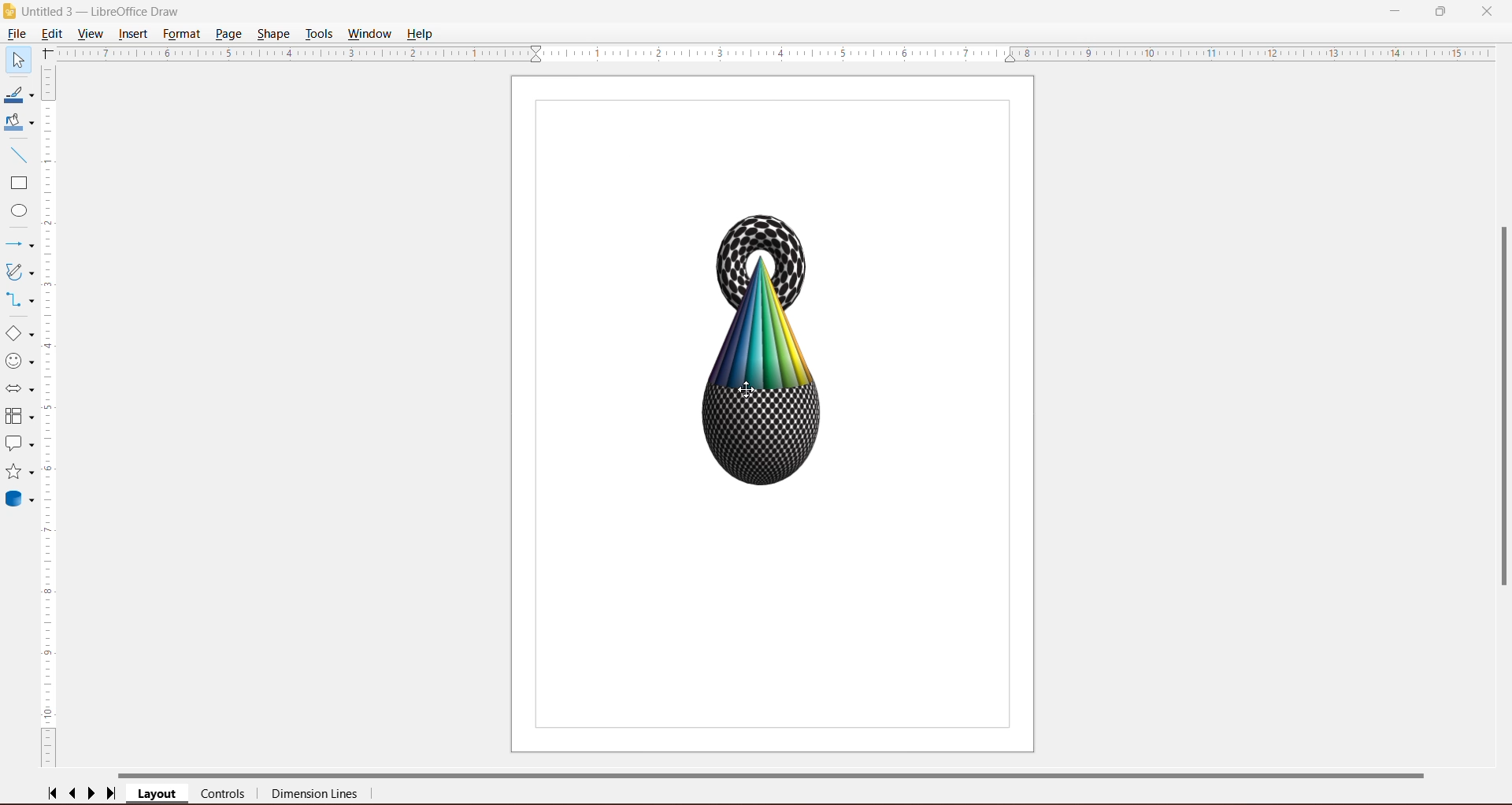 The height and width of the screenshot is (805, 1512). I want to click on Scroll to next page, so click(91, 794).